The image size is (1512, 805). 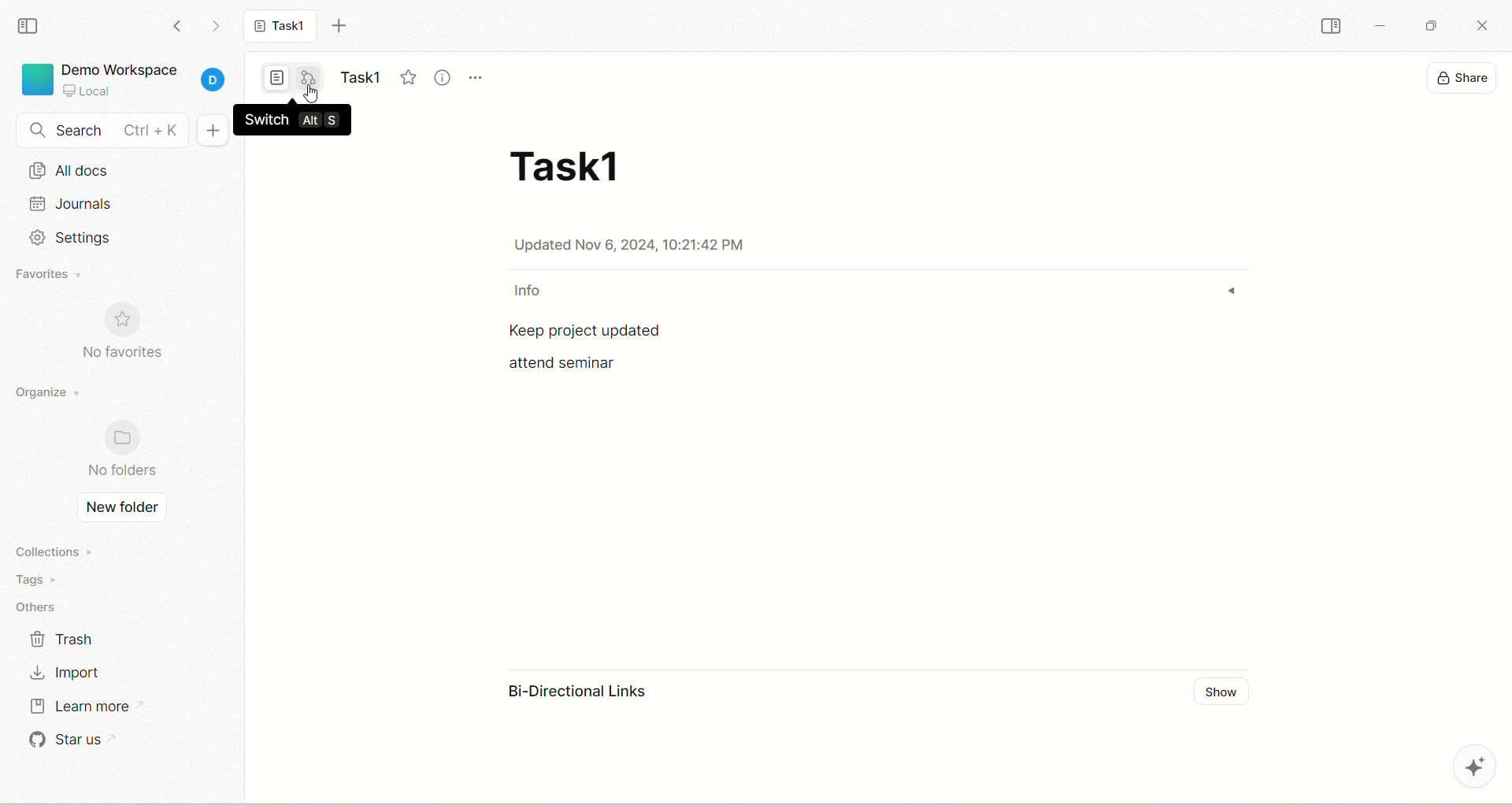 What do you see at coordinates (112, 204) in the screenshot?
I see `journals` at bounding box center [112, 204].